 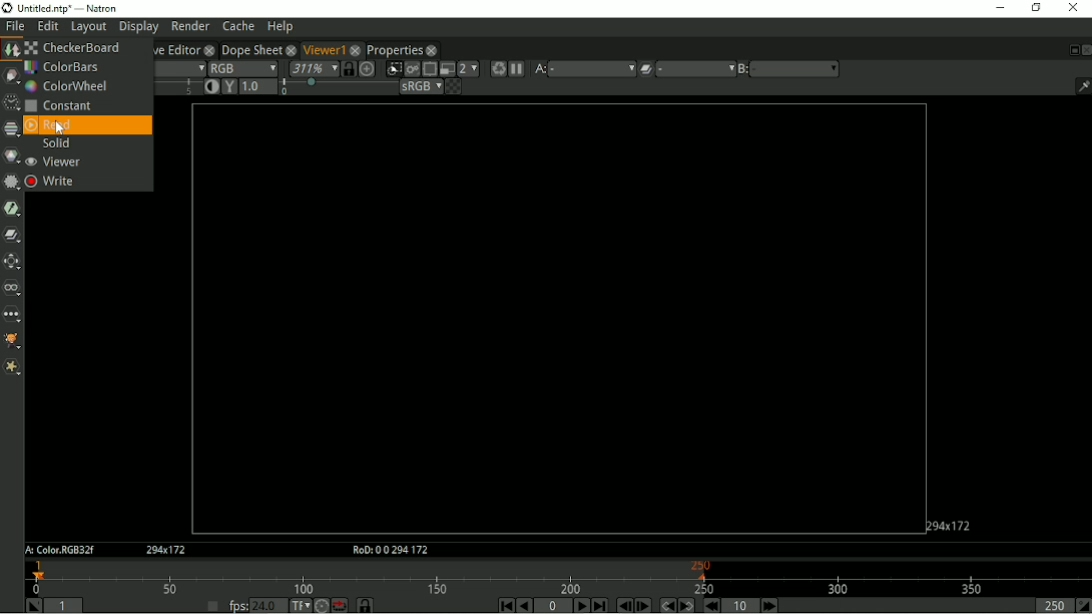 What do you see at coordinates (250, 48) in the screenshot?
I see `Dope Sheet` at bounding box center [250, 48].